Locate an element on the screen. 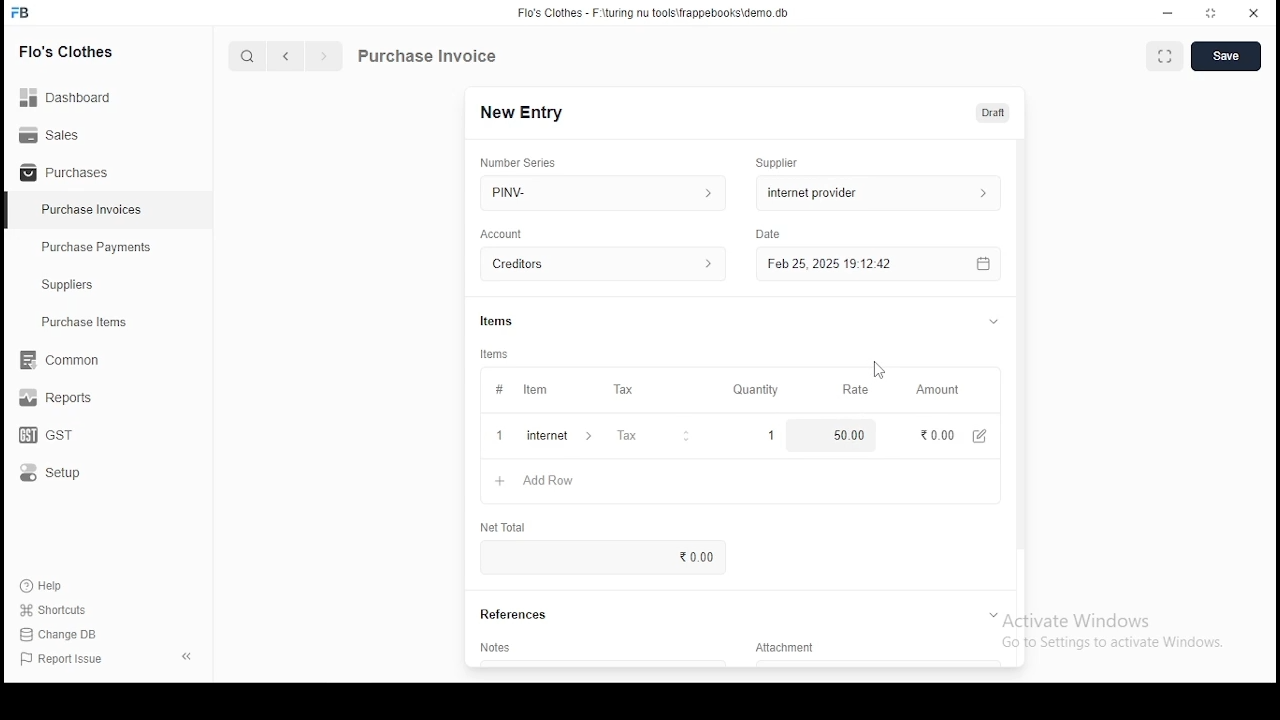 The height and width of the screenshot is (720, 1280). item is located at coordinates (534, 391).